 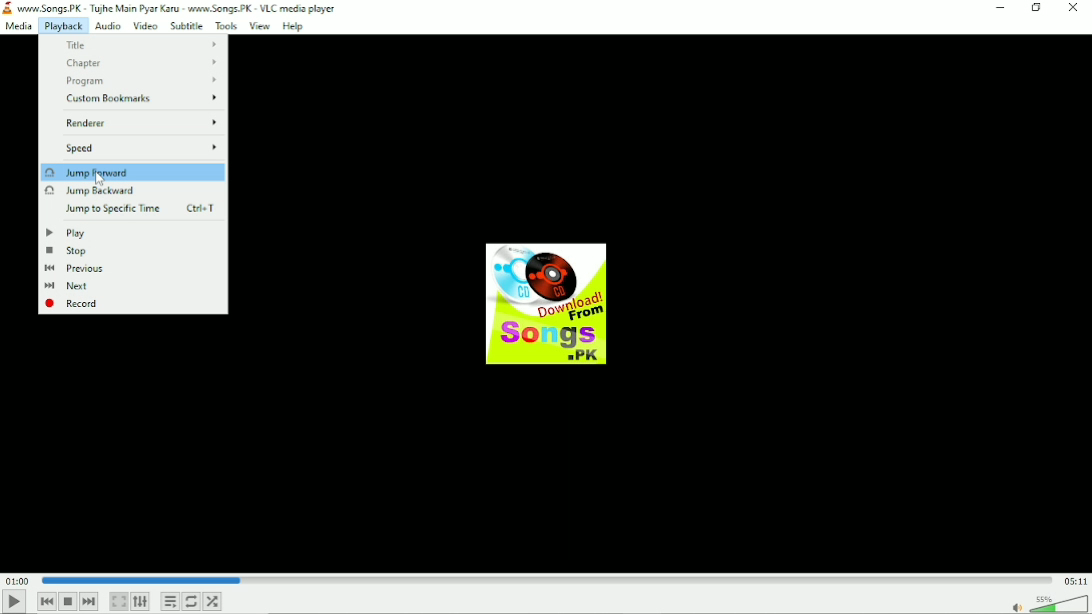 I want to click on Audio track, so click(x=545, y=304).